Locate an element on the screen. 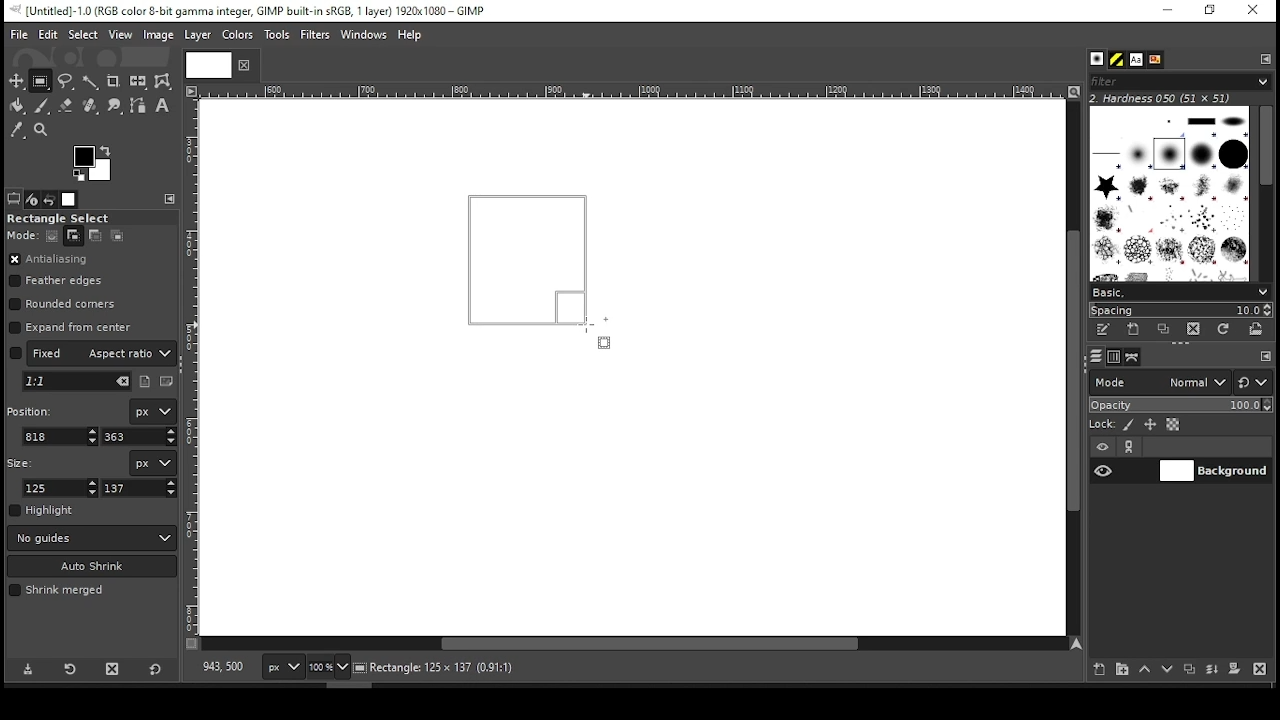 The width and height of the screenshot is (1280, 720). landscape is located at coordinates (168, 383).